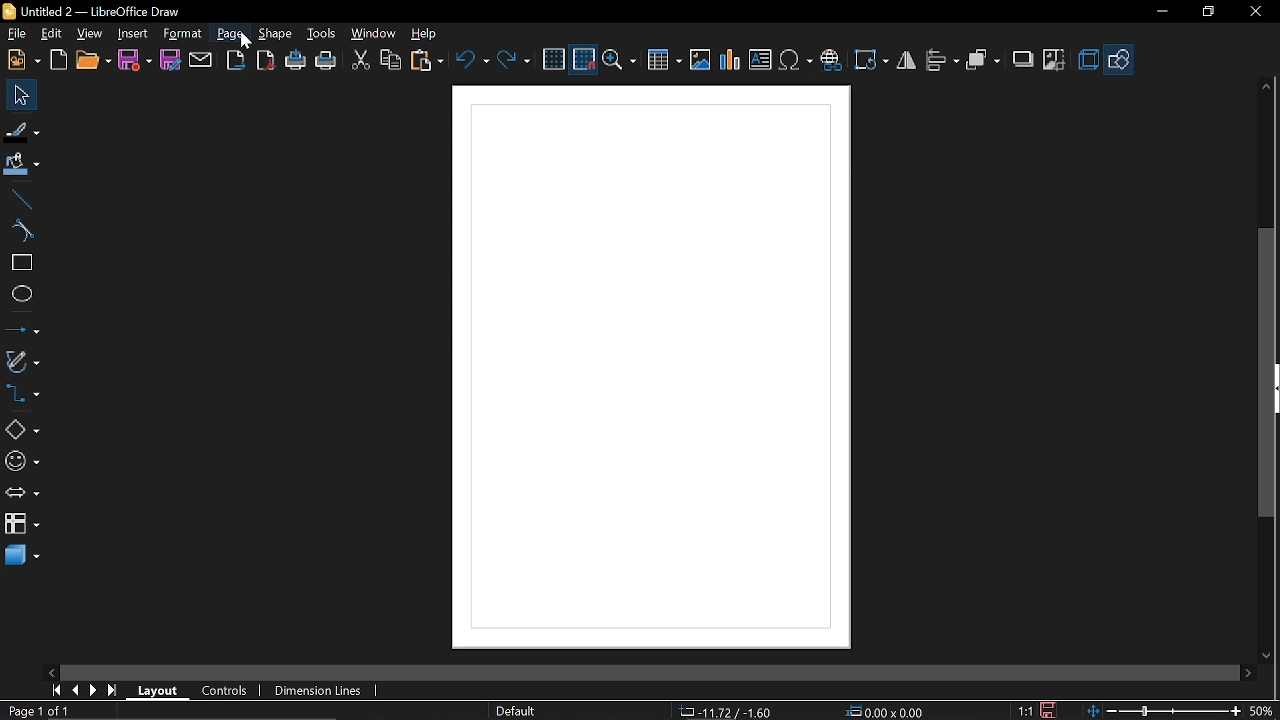  I want to click on Curves and polygons, so click(22, 364).